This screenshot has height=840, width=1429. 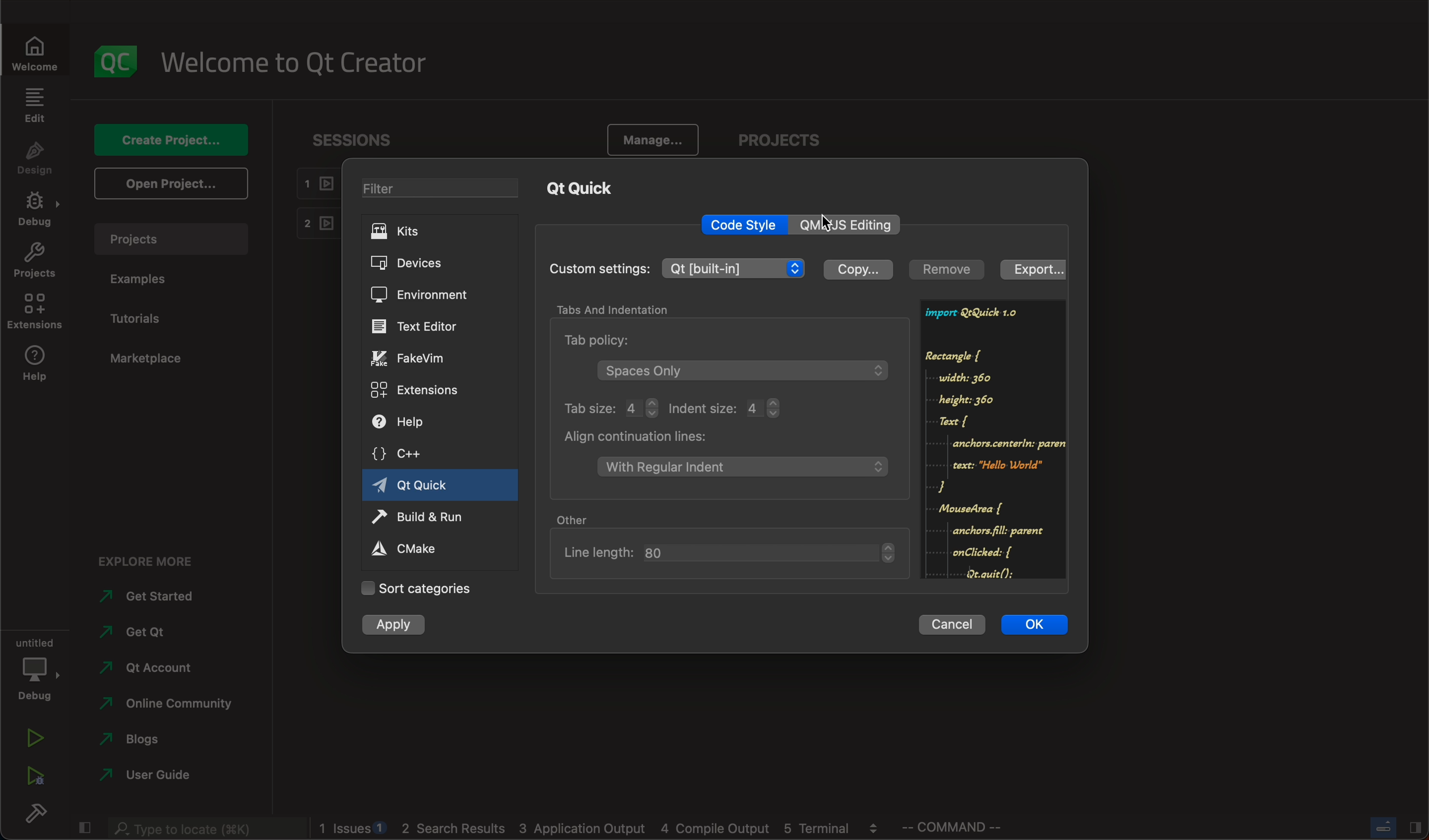 What do you see at coordinates (36, 810) in the screenshot?
I see `build` at bounding box center [36, 810].